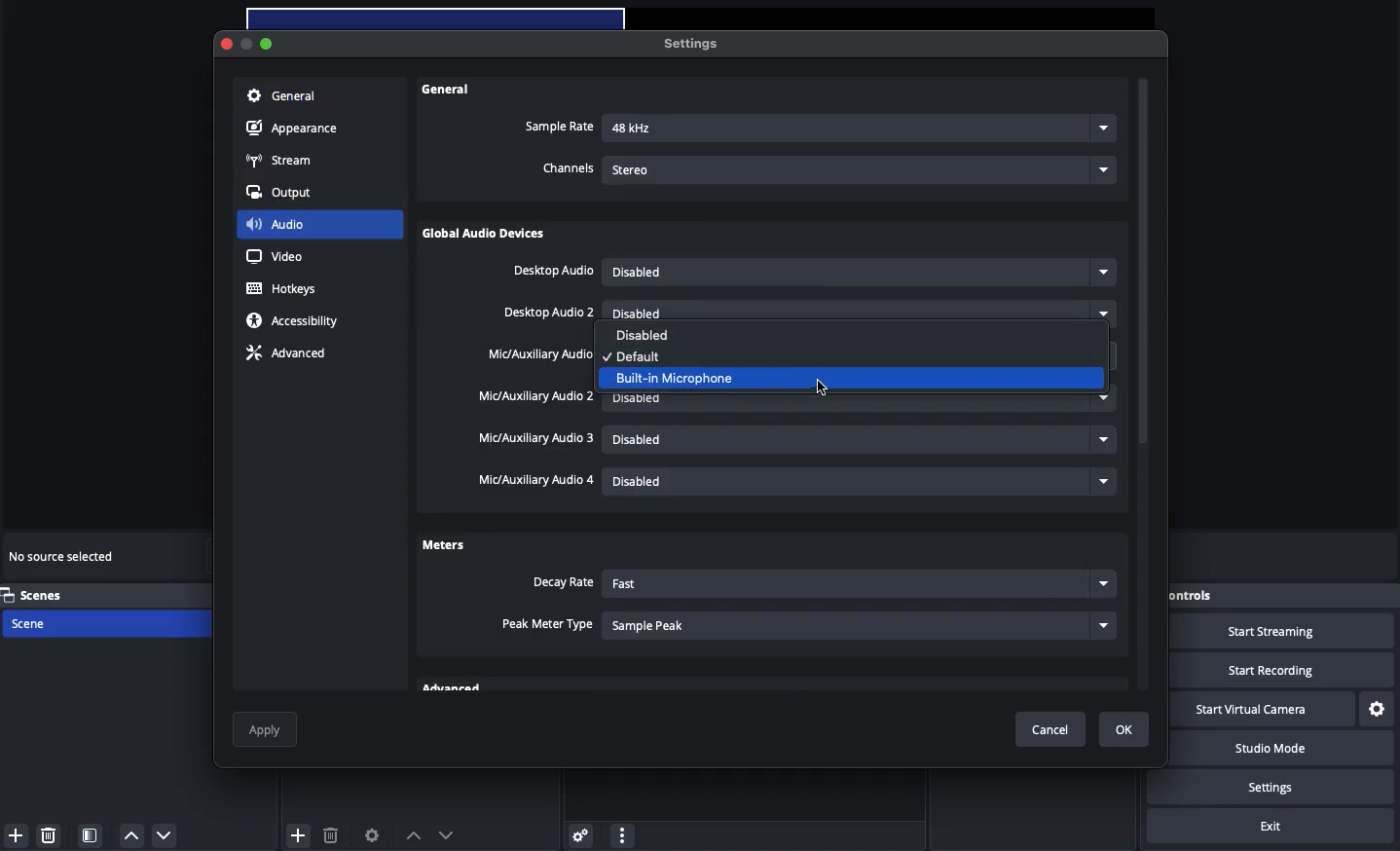 This screenshot has height=851, width=1400. I want to click on Up, so click(129, 835).